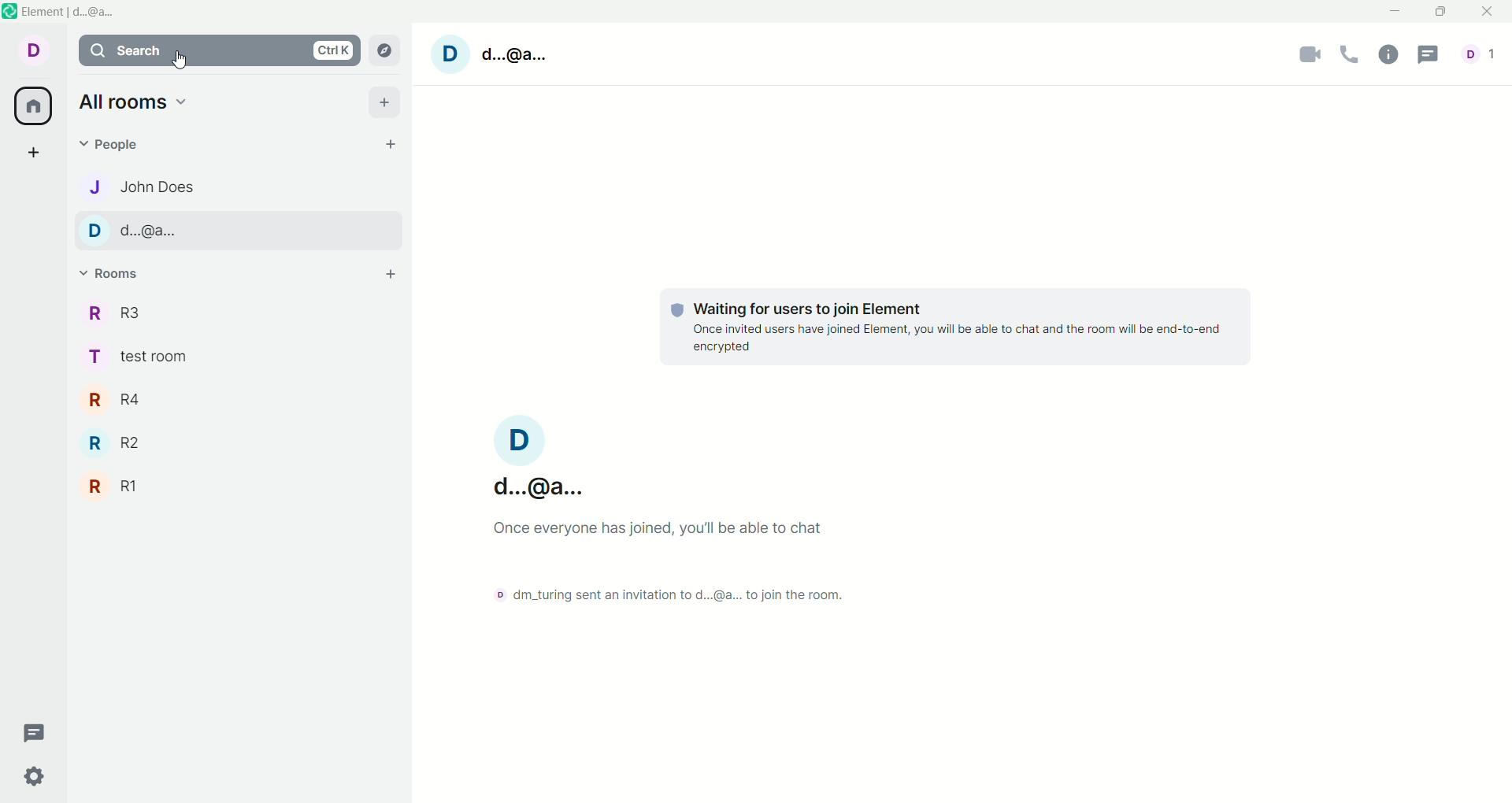 Image resolution: width=1512 pixels, height=803 pixels. Describe the element at coordinates (1434, 54) in the screenshot. I see `thread` at that location.